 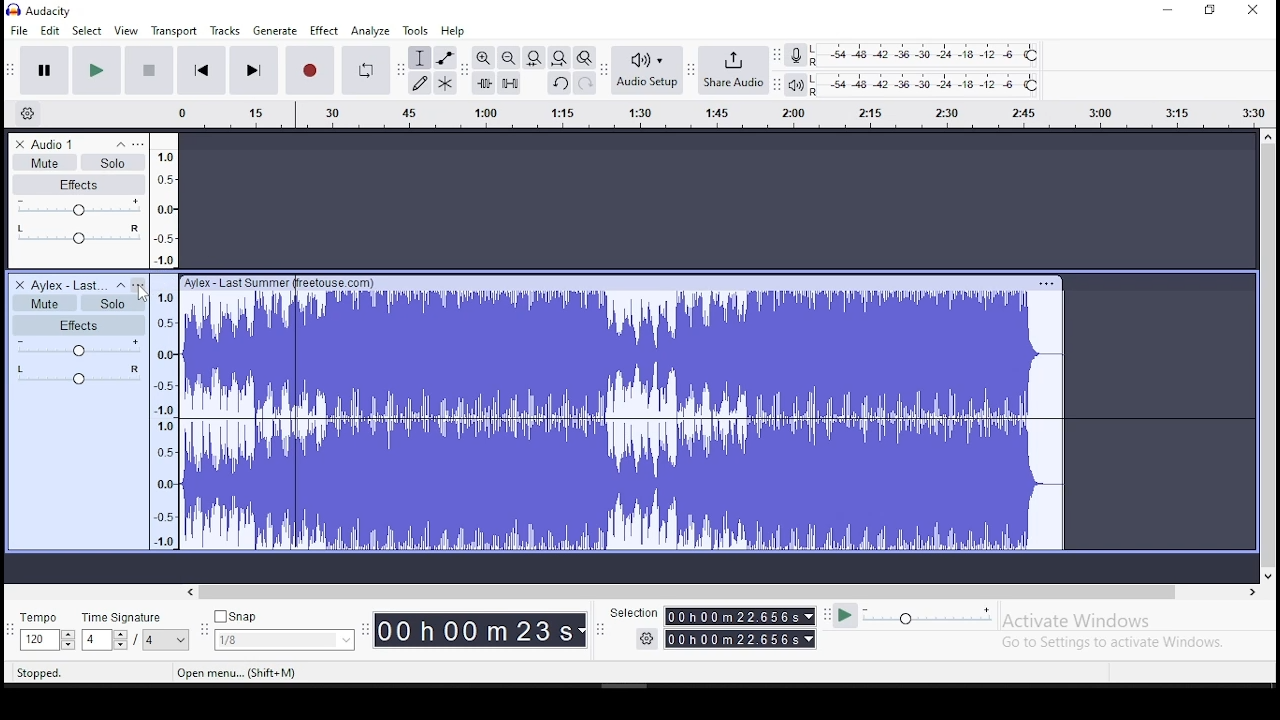 What do you see at coordinates (20, 145) in the screenshot?
I see `delete track` at bounding box center [20, 145].